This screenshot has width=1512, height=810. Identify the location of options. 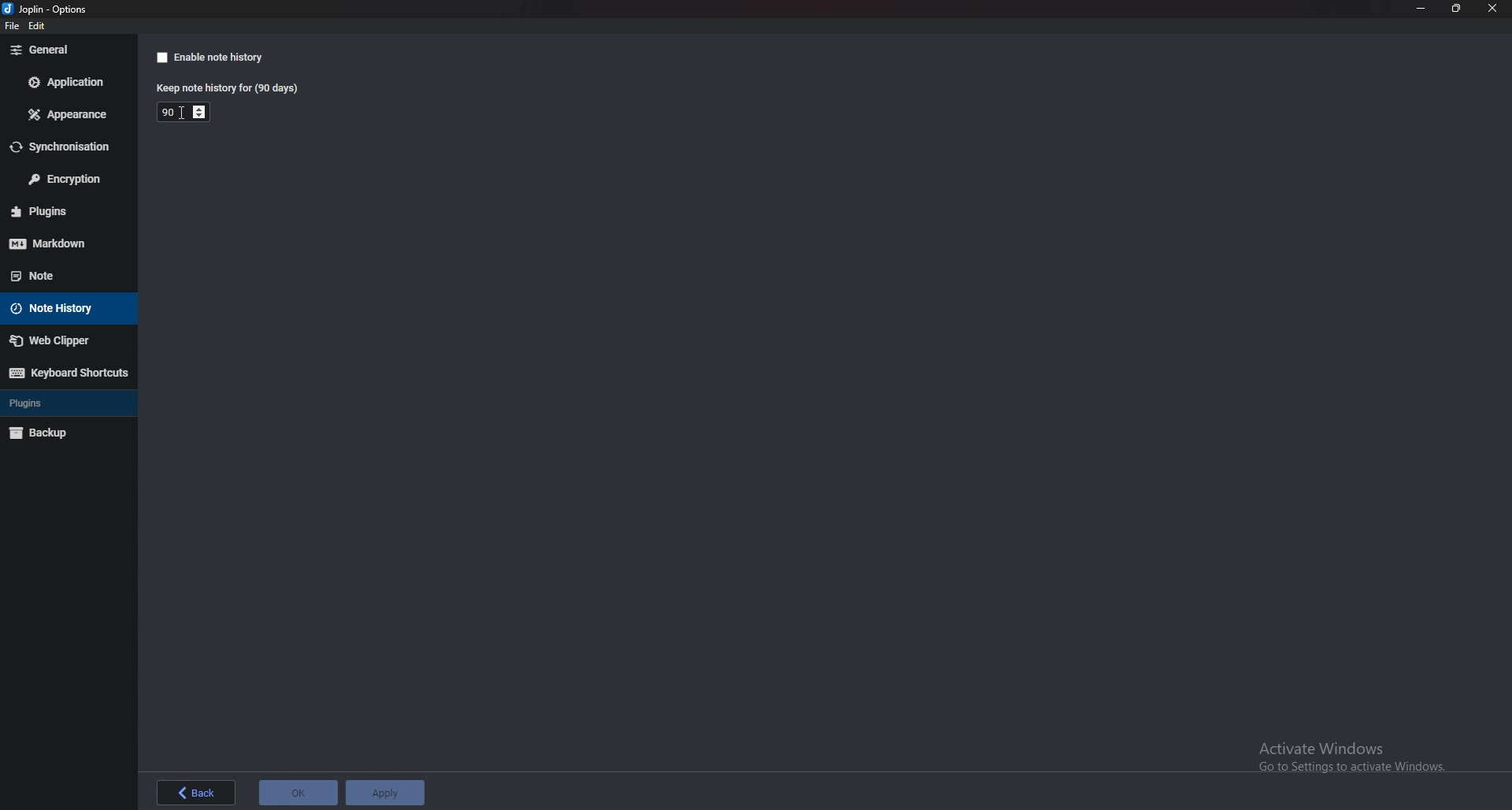
(48, 9).